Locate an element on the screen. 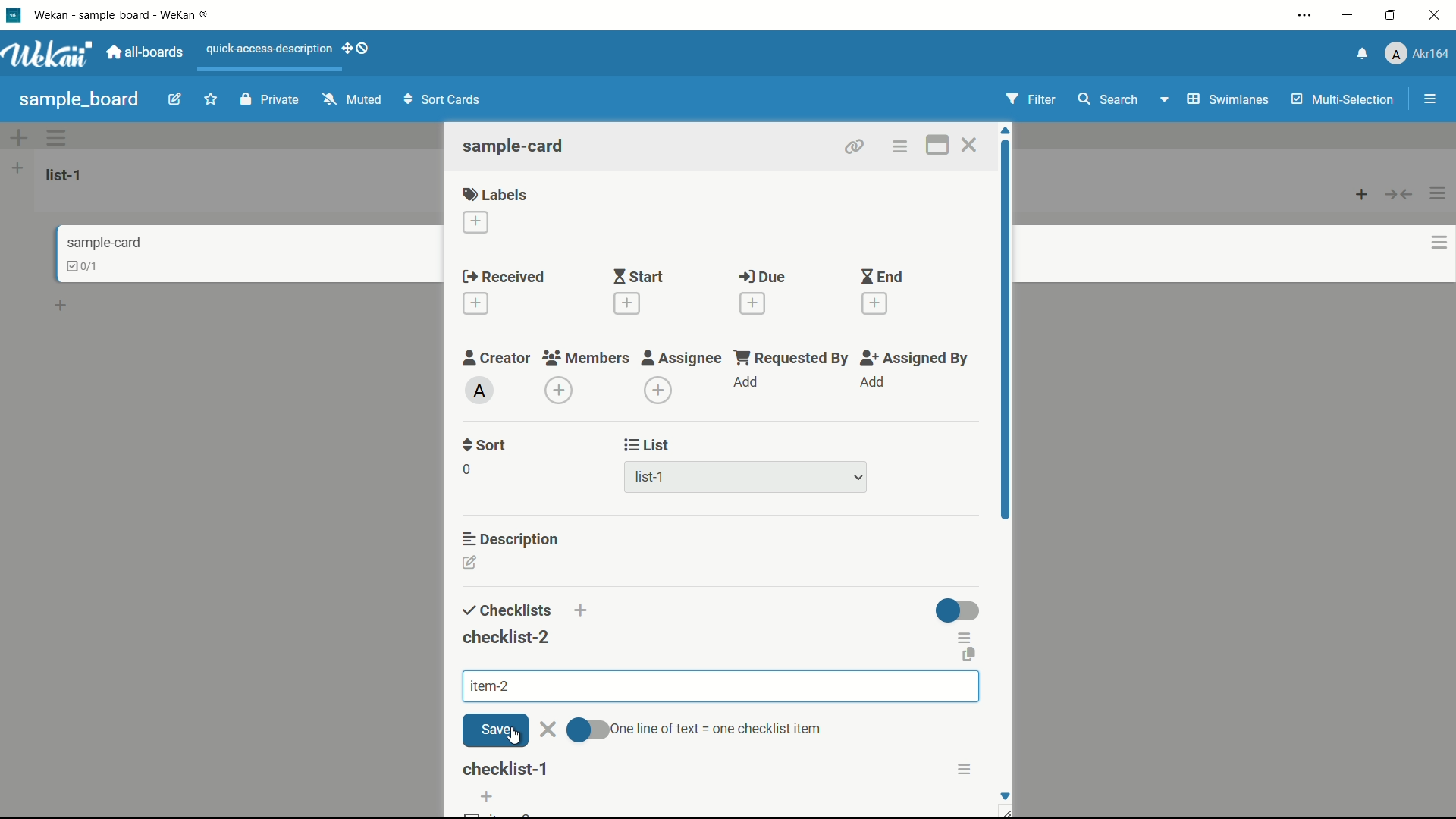 The image size is (1456, 819). cklist is located at coordinates (84, 266).